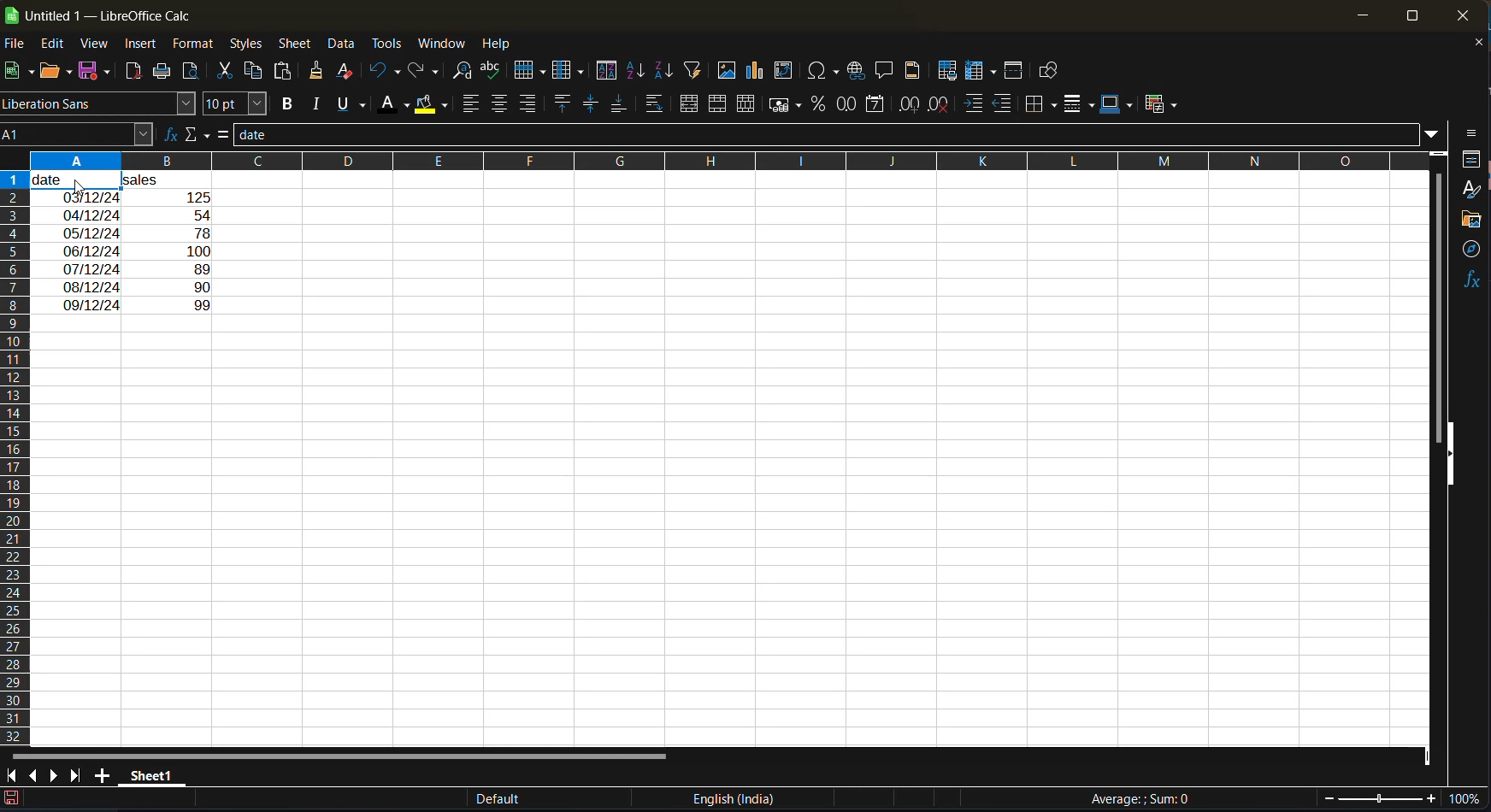 Image resolution: width=1491 pixels, height=812 pixels. Describe the element at coordinates (1439, 293) in the screenshot. I see `vertical scroll bar` at that location.